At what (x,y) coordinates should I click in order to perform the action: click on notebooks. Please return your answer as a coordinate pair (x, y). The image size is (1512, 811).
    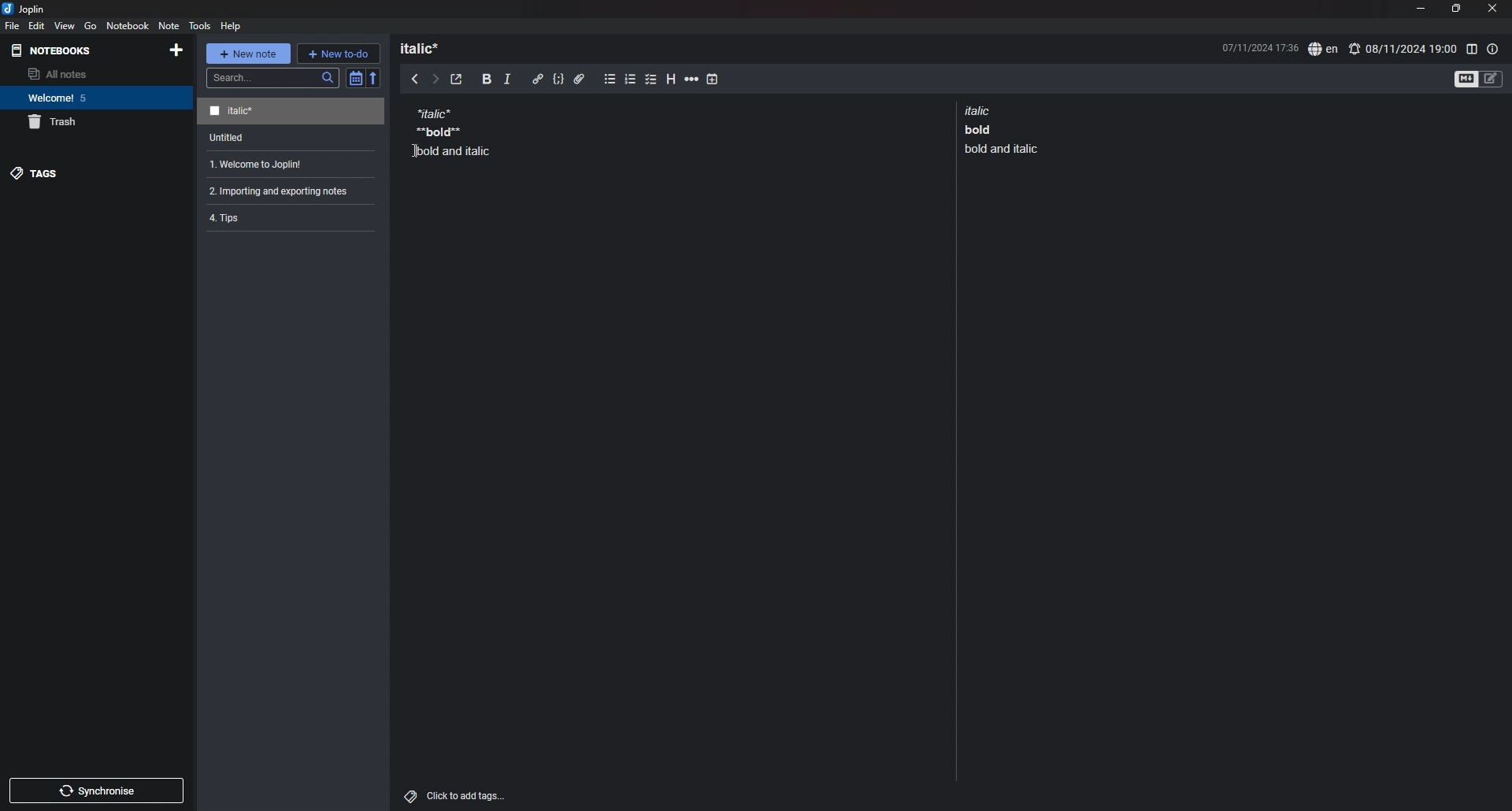
    Looking at the image, I should click on (55, 50).